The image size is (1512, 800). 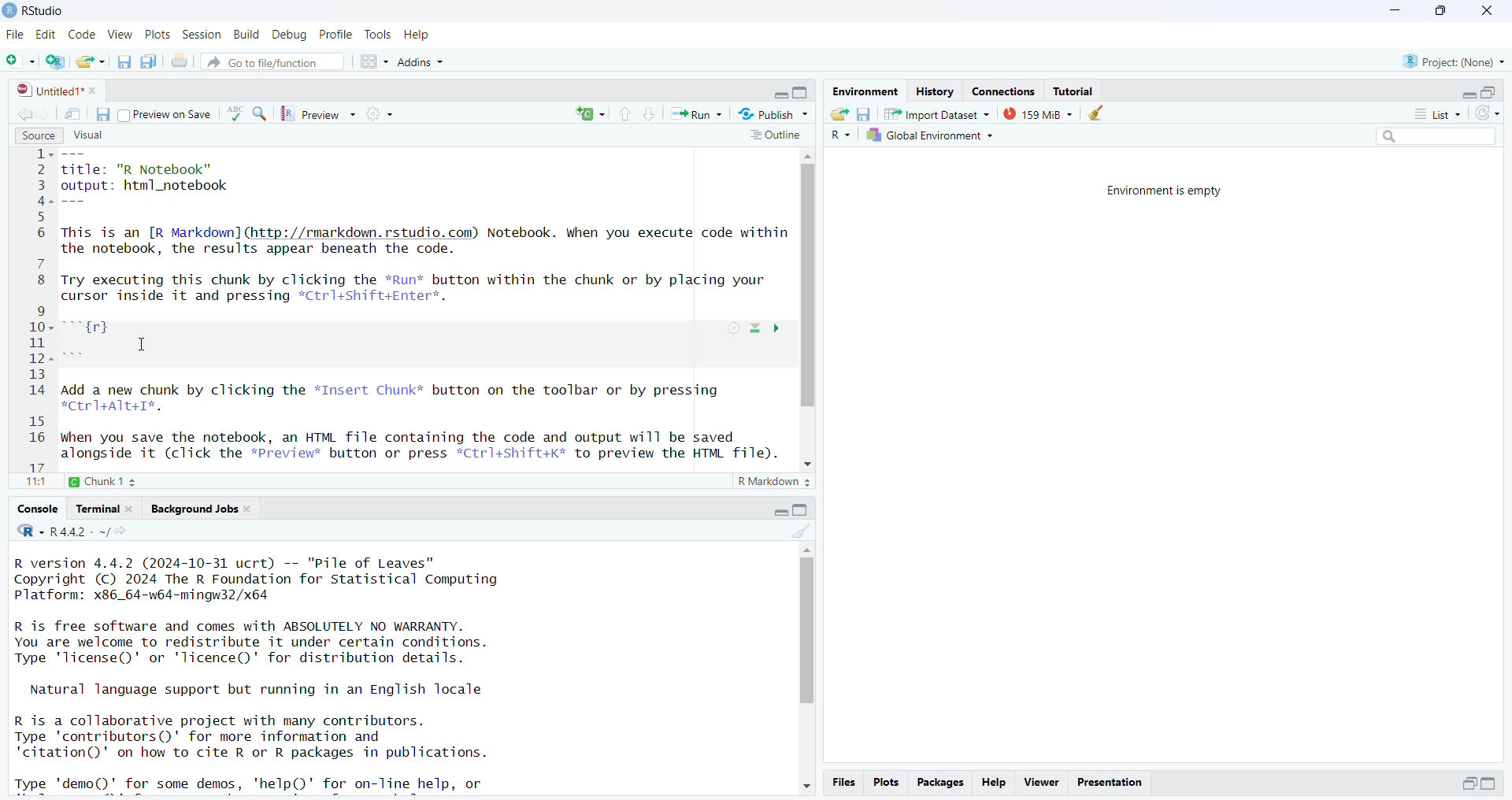 What do you see at coordinates (72, 113) in the screenshot?
I see `show in new window` at bounding box center [72, 113].